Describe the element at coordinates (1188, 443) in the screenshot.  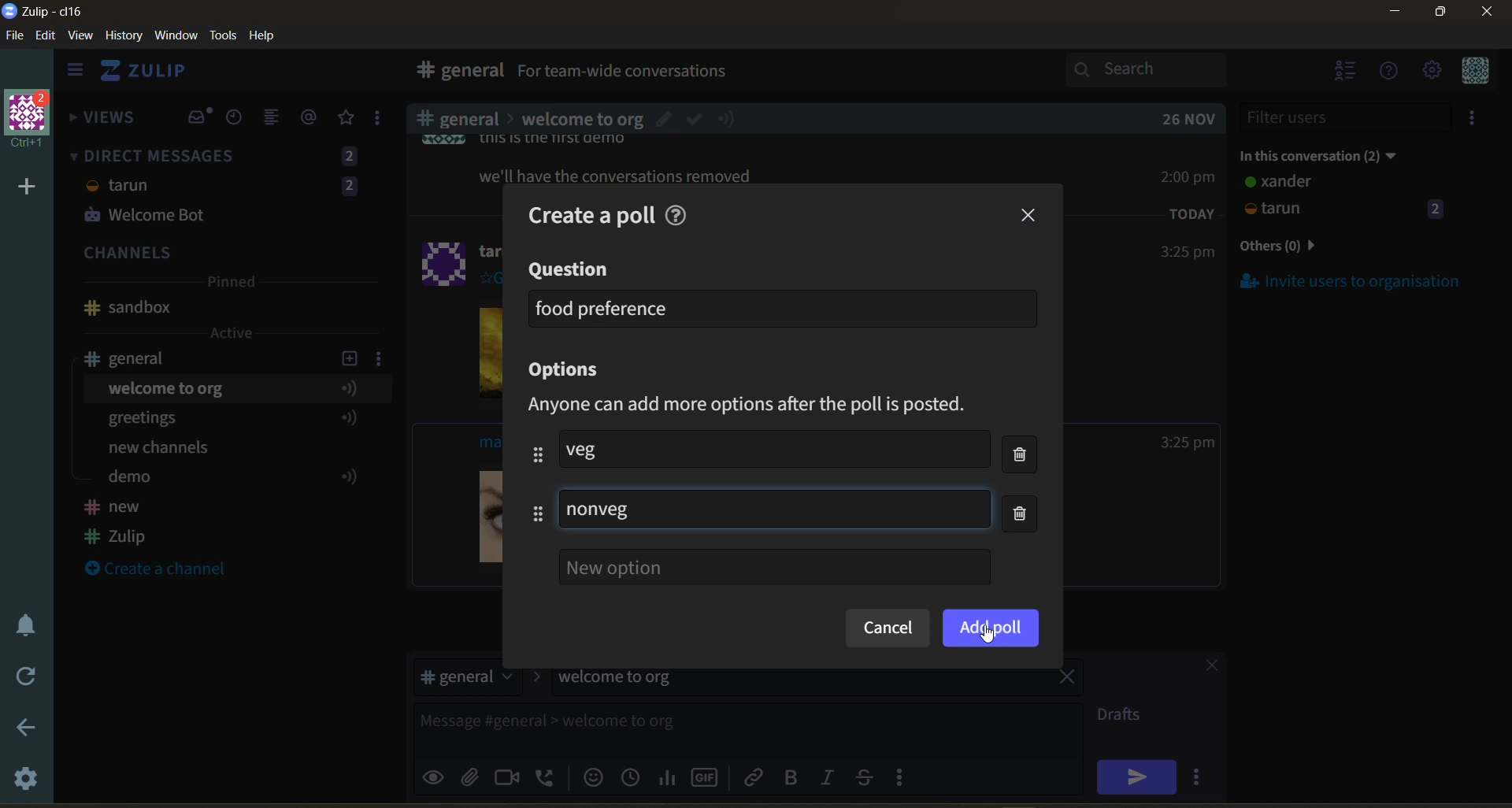
I see `3:25 pm` at that location.